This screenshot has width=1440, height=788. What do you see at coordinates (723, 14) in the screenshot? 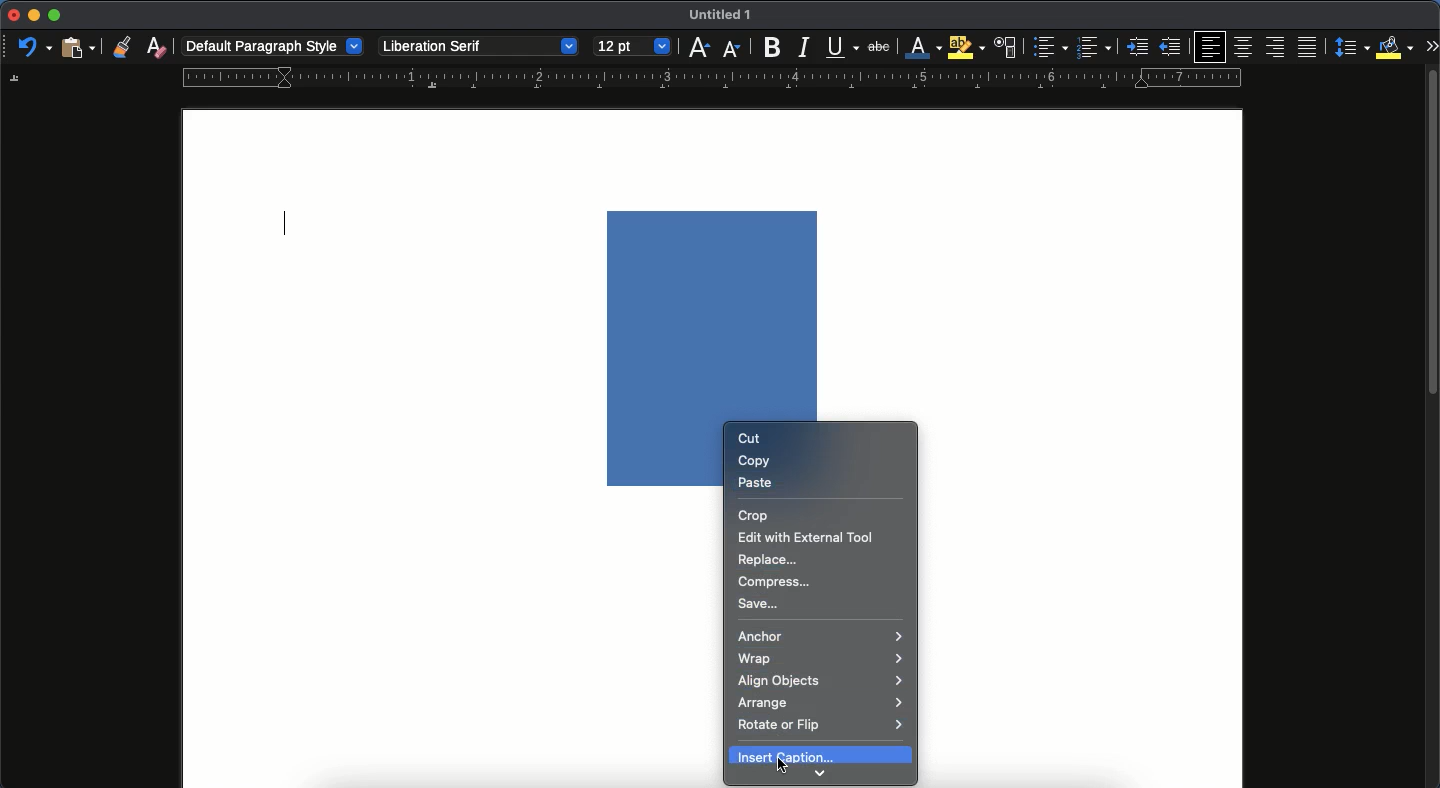
I see `Untiled 1 - name` at bounding box center [723, 14].